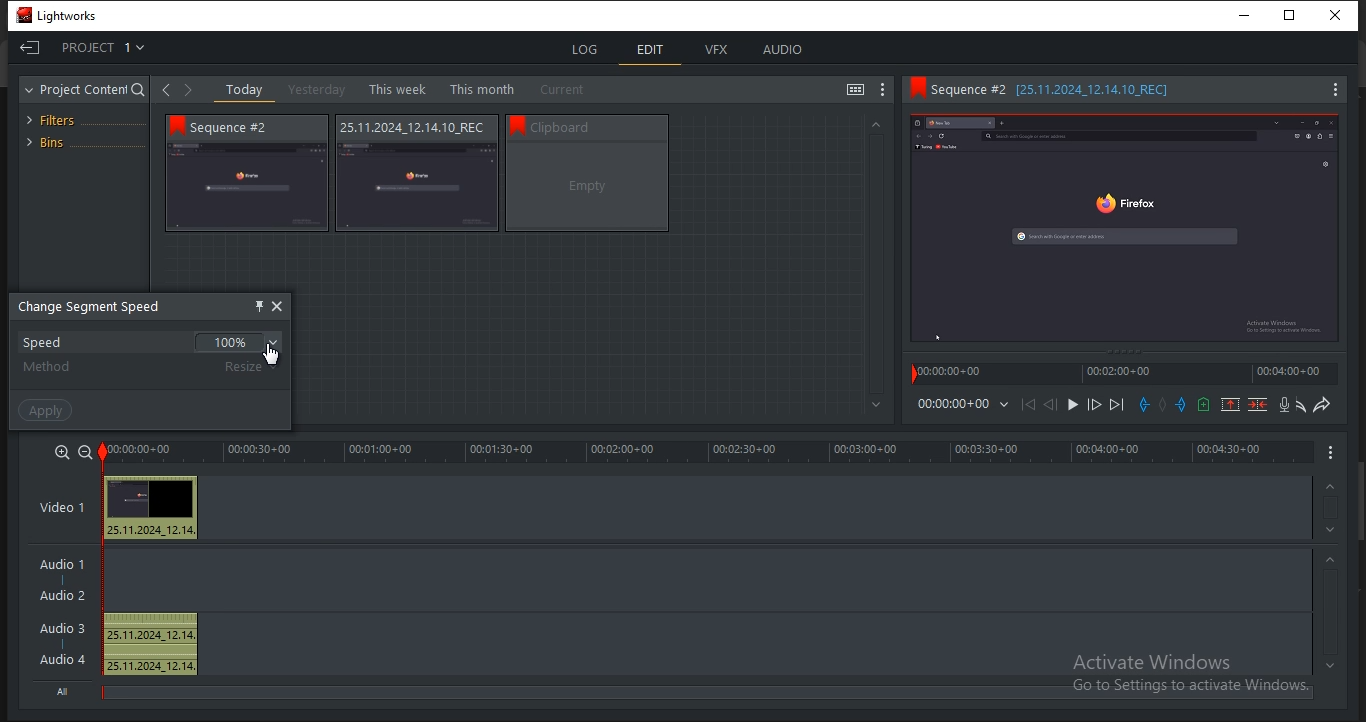 This screenshot has width=1366, height=722. I want to click on Sequence preview thumbnail, so click(1123, 226).